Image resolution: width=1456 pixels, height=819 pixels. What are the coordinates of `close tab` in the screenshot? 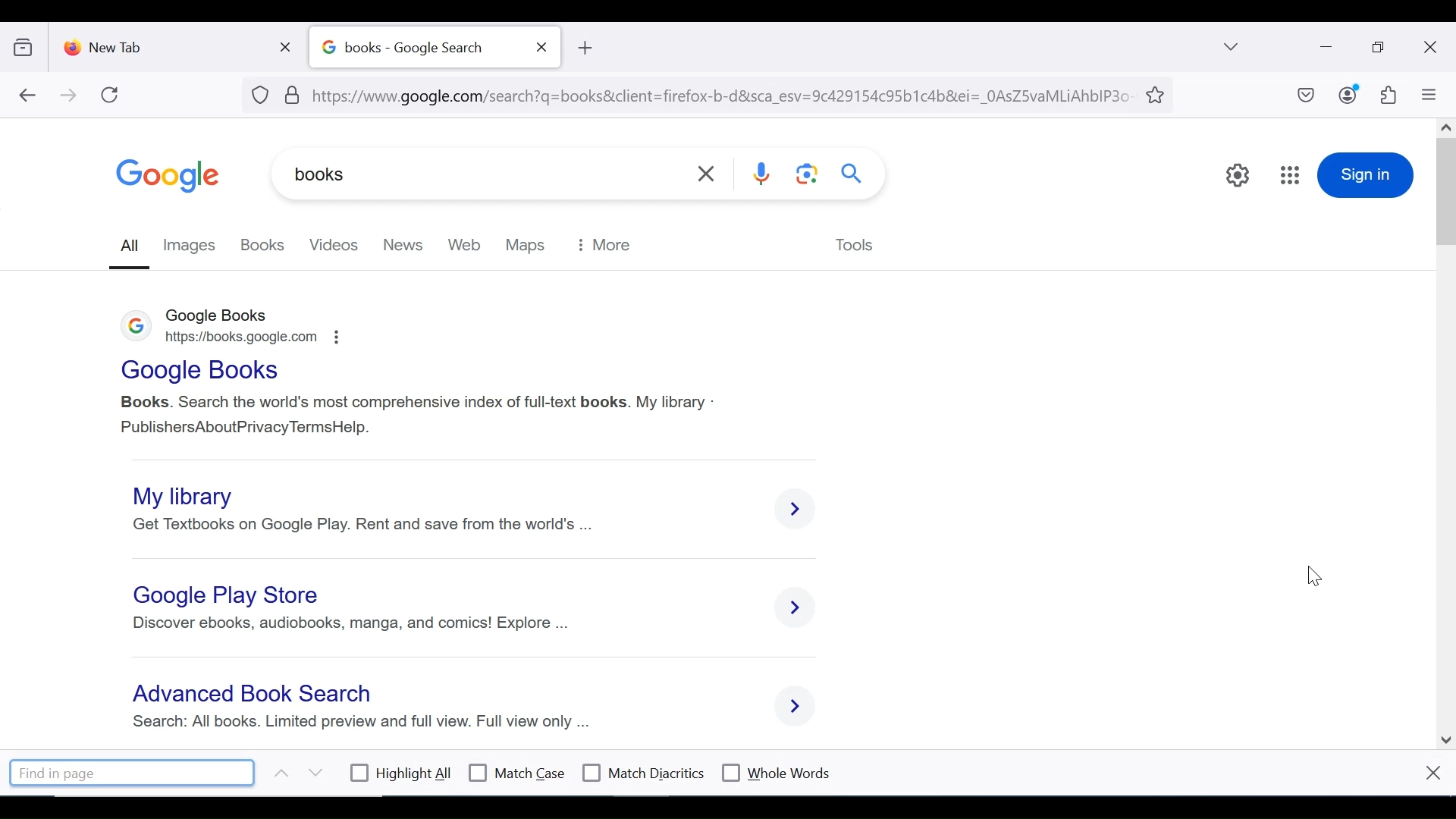 It's located at (289, 44).